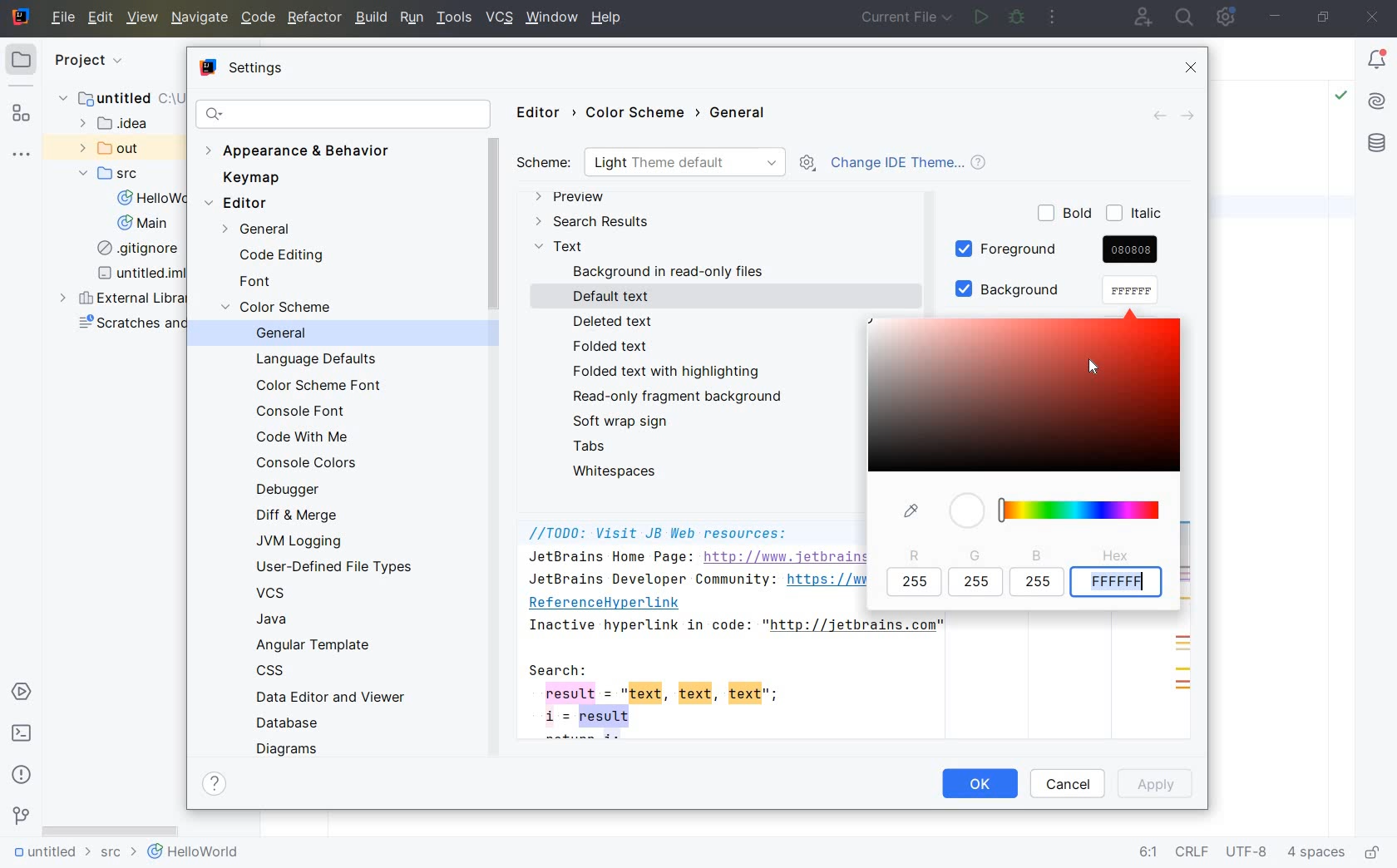 Image resolution: width=1397 pixels, height=868 pixels. I want to click on COLOR SCEME, so click(284, 308).